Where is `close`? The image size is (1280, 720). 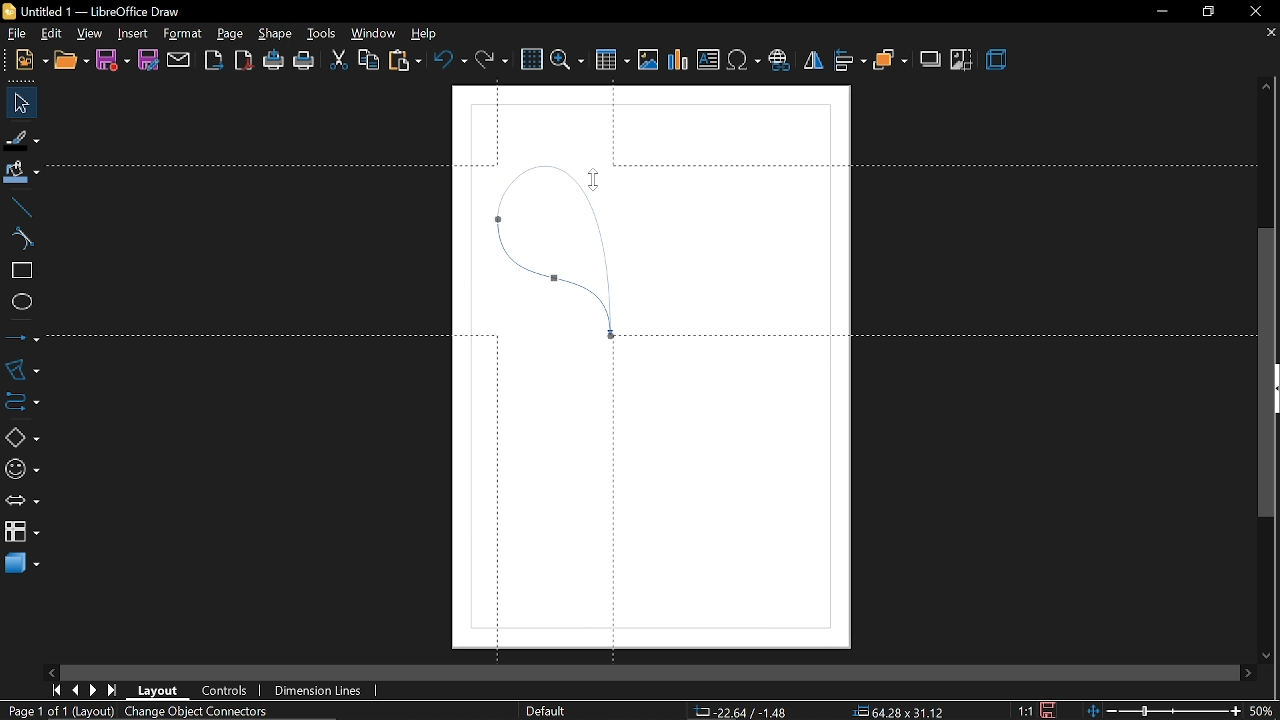 close is located at coordinates (1253, 11).